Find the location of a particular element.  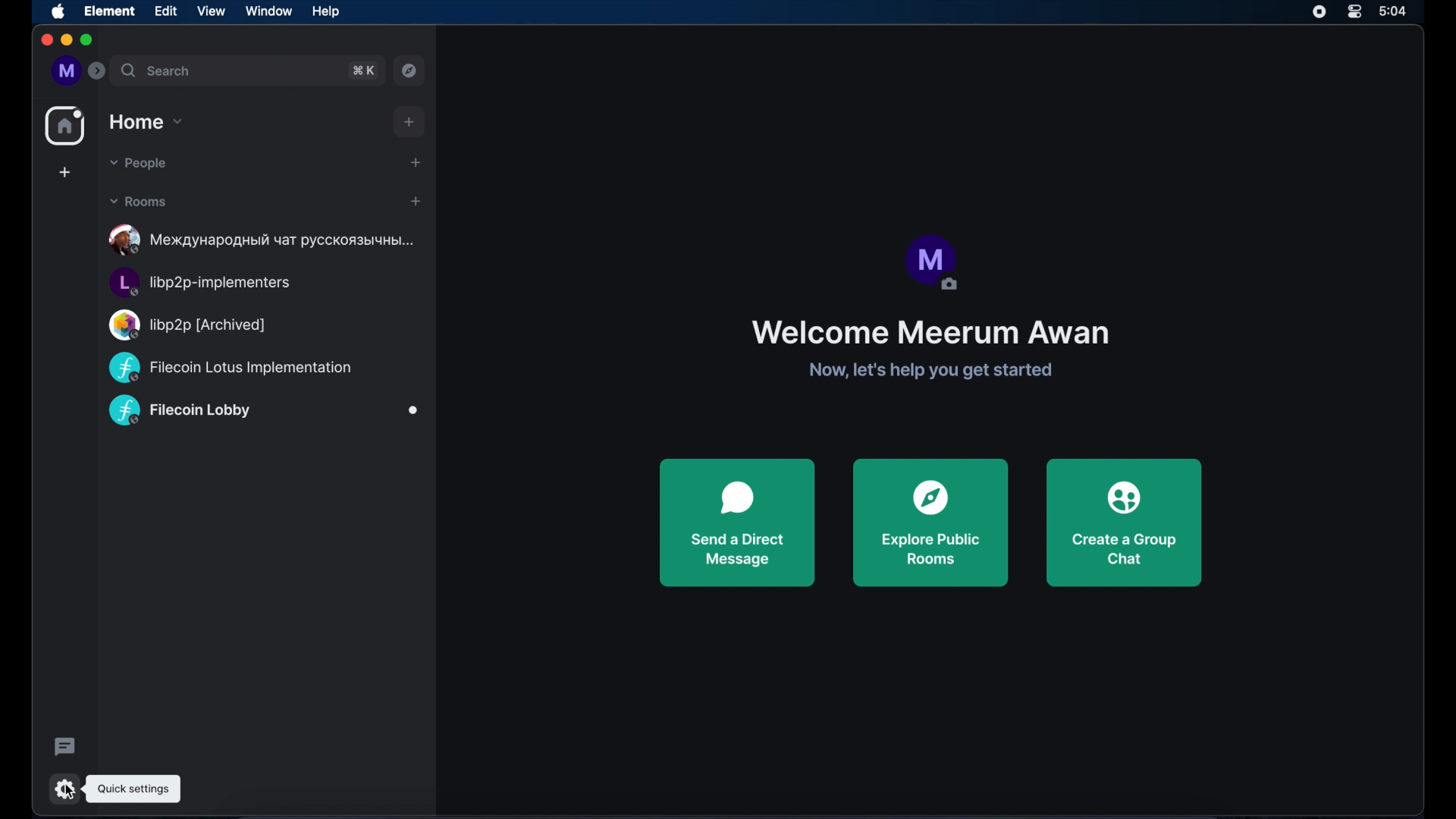

L_ libp2p-implementers is located at coordinates (193, 282).